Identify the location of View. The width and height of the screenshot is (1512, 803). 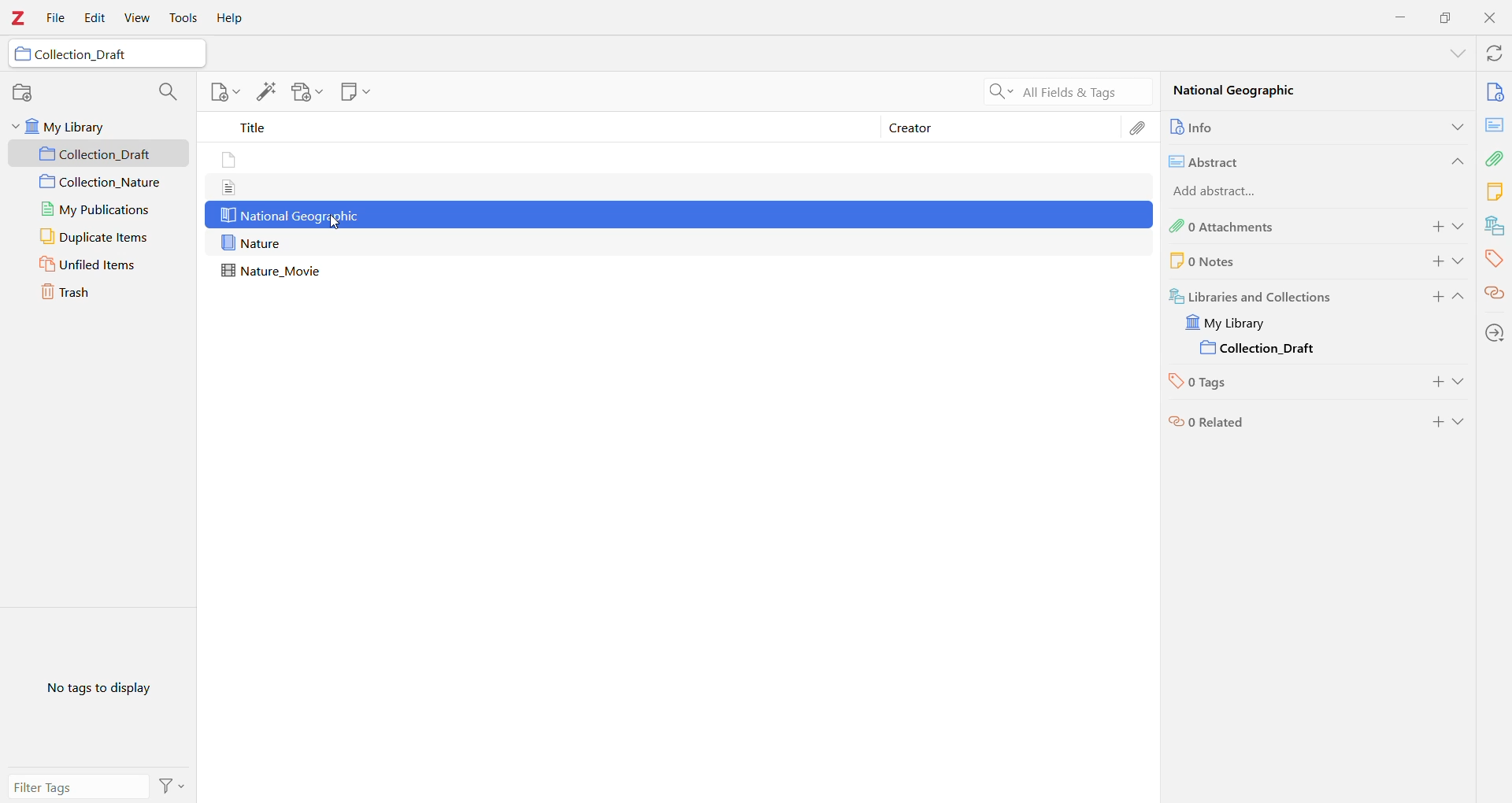
(139, 18).